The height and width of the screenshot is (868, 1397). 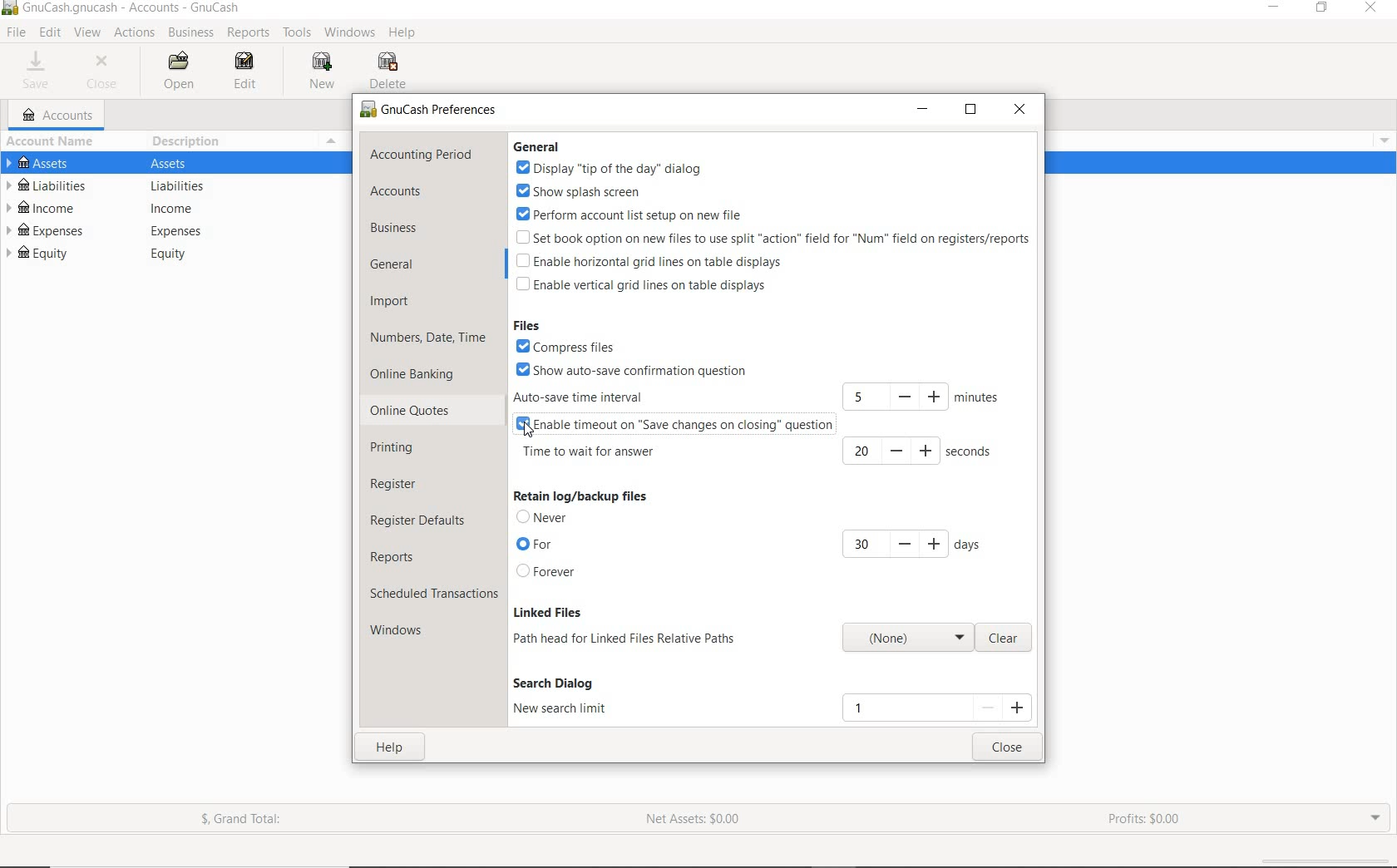 I want to click on ONLINE QUOTES, so click(x=412, y=412).